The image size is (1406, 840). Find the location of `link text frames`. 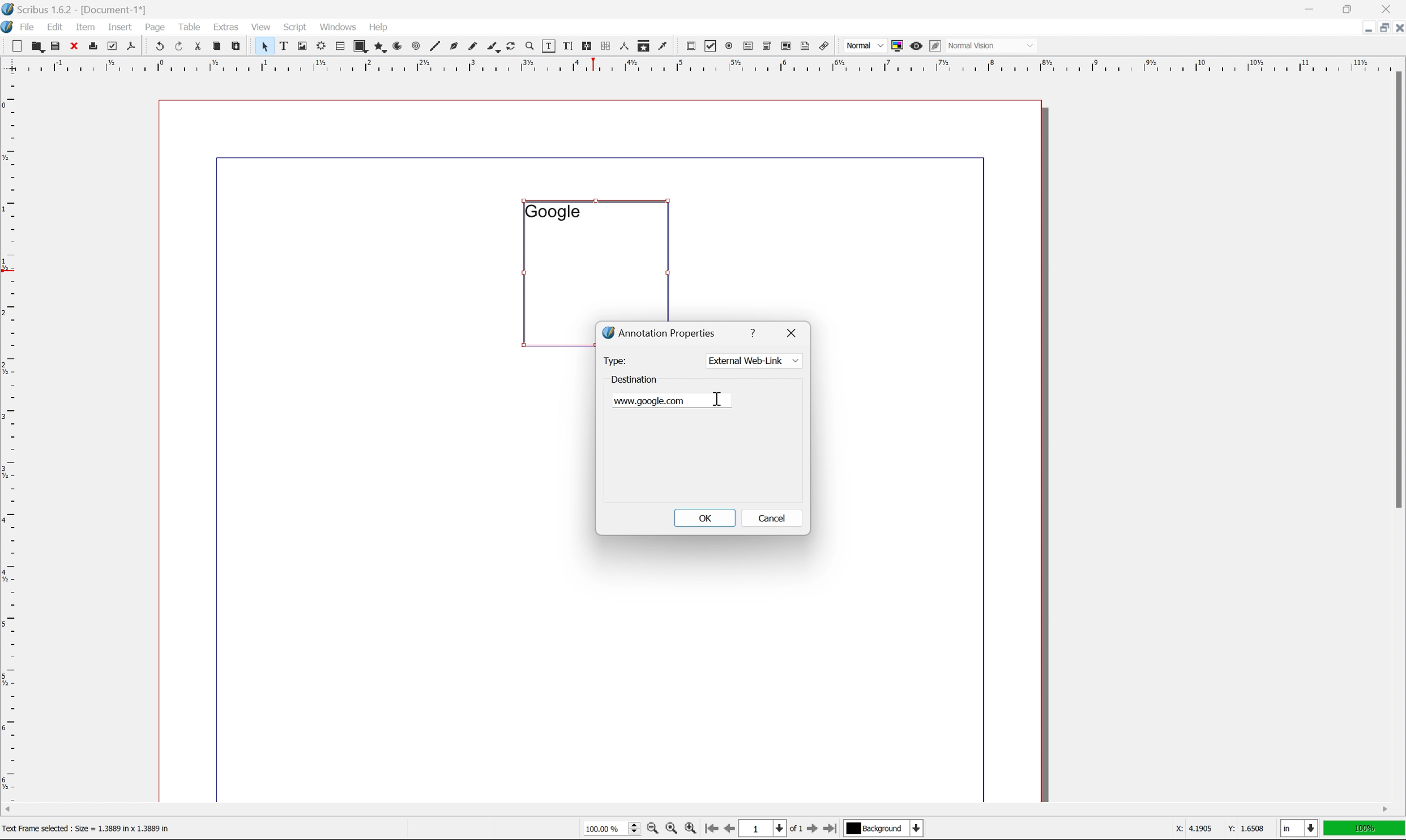

link text frames is located at coordinates (585, 46).